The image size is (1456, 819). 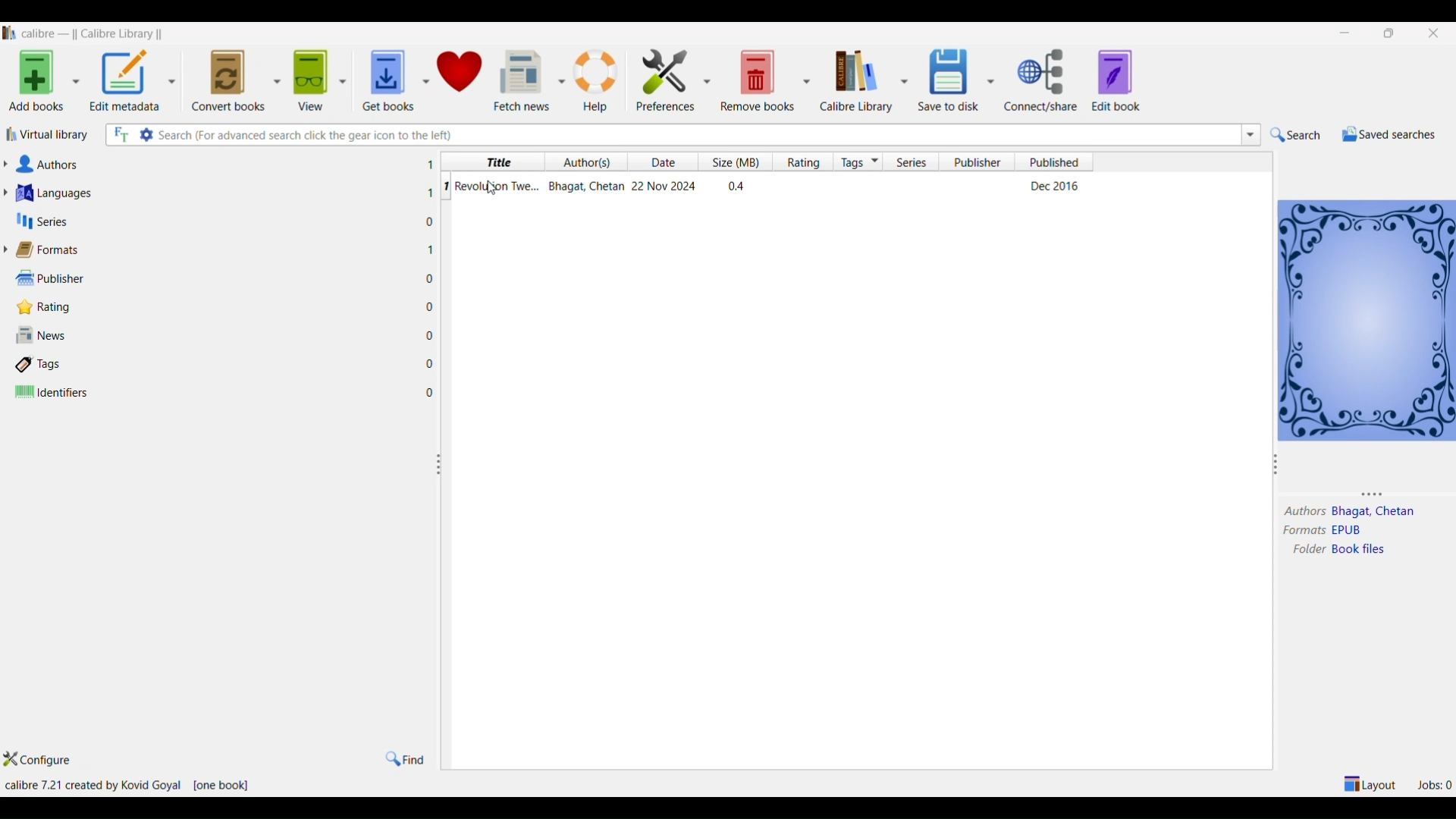 I want to click on 1, so click(x=430, y=165).